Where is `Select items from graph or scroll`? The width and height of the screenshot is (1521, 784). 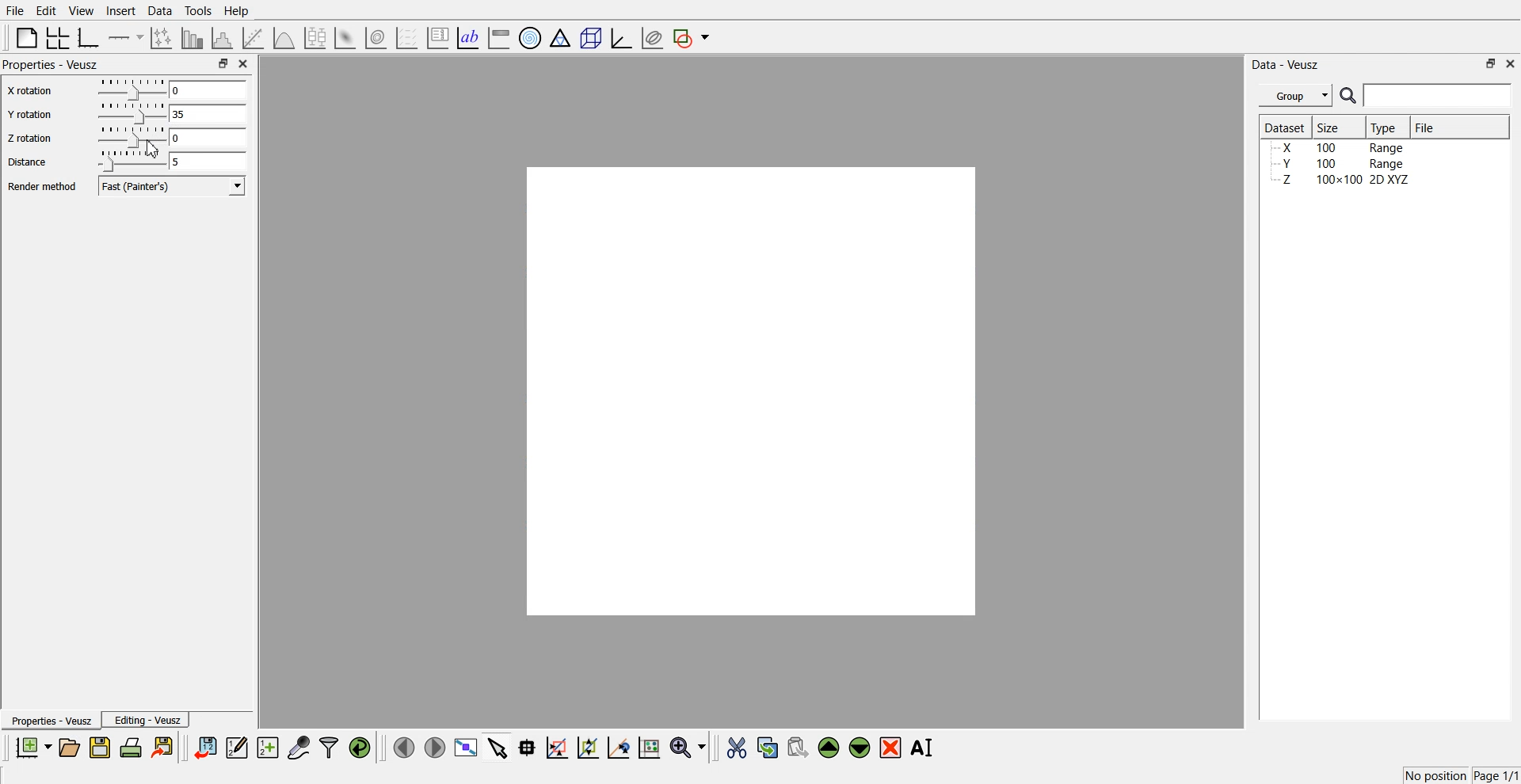
Select items from graph or scroll is located at coordinates (498, 746).